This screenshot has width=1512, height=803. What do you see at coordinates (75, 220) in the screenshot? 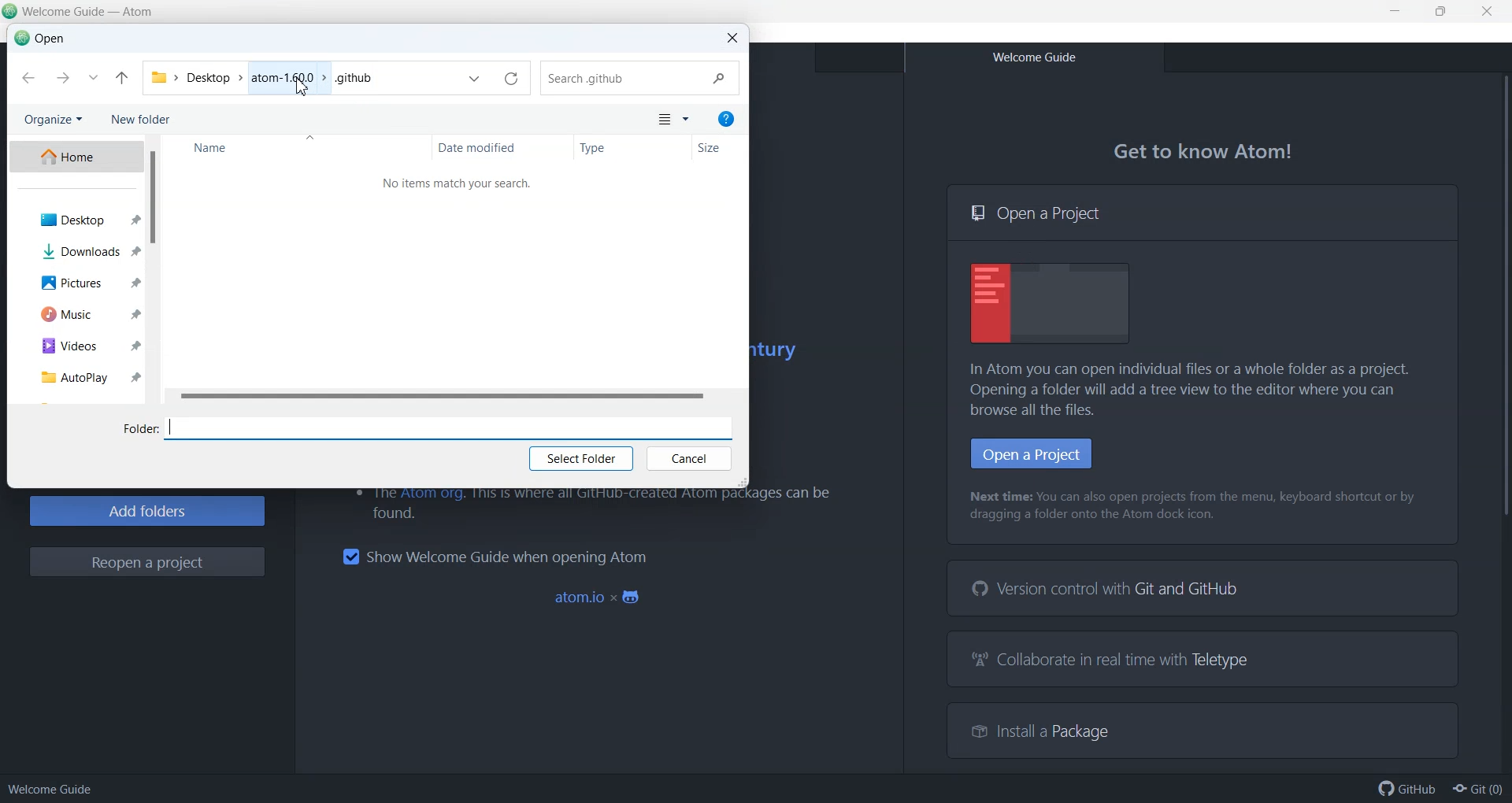
I see `Desktop` at bounding box center [75, 220].